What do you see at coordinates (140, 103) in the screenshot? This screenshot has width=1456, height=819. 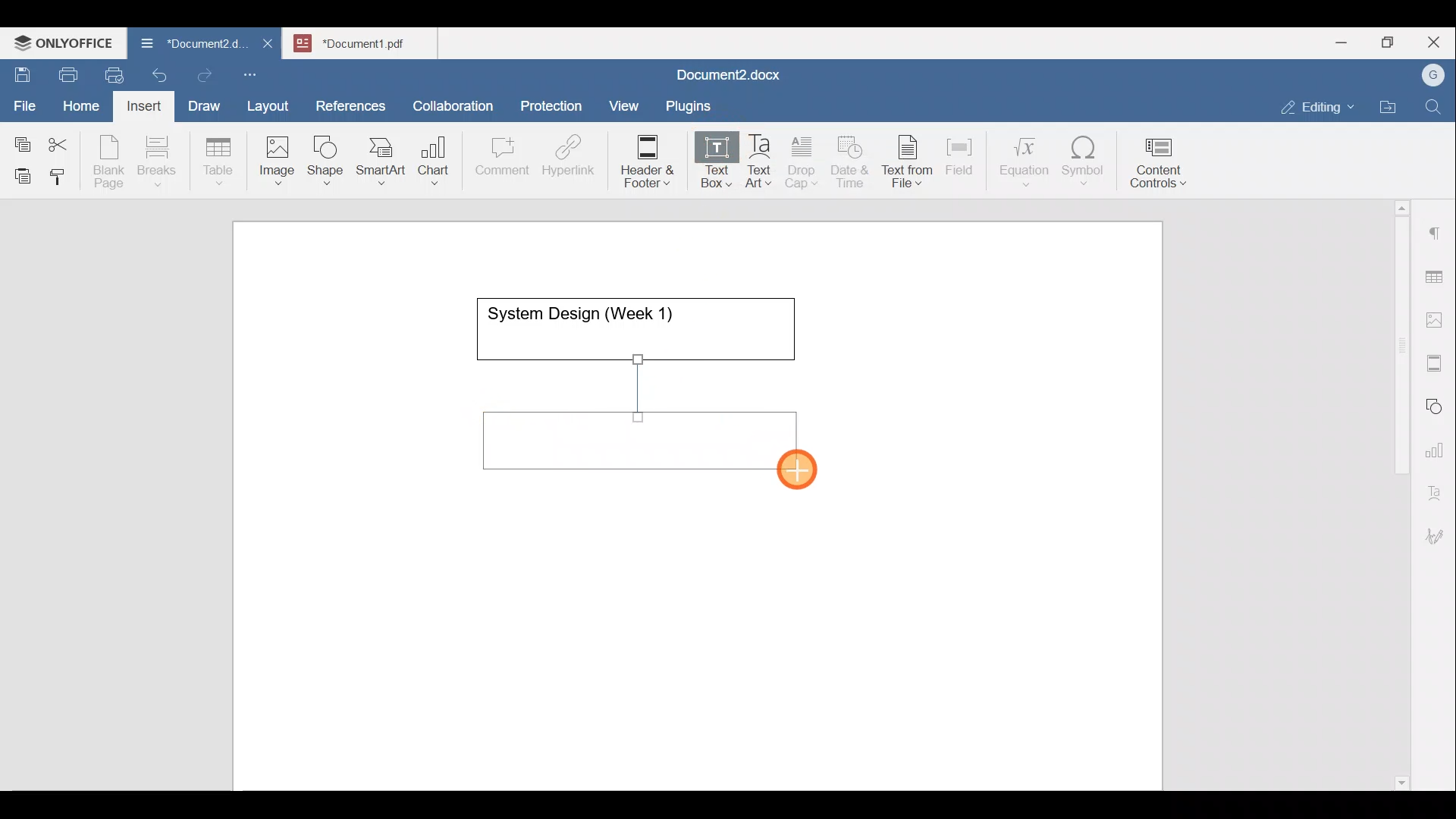 I see `Insert` at bounding box center [140, 103].